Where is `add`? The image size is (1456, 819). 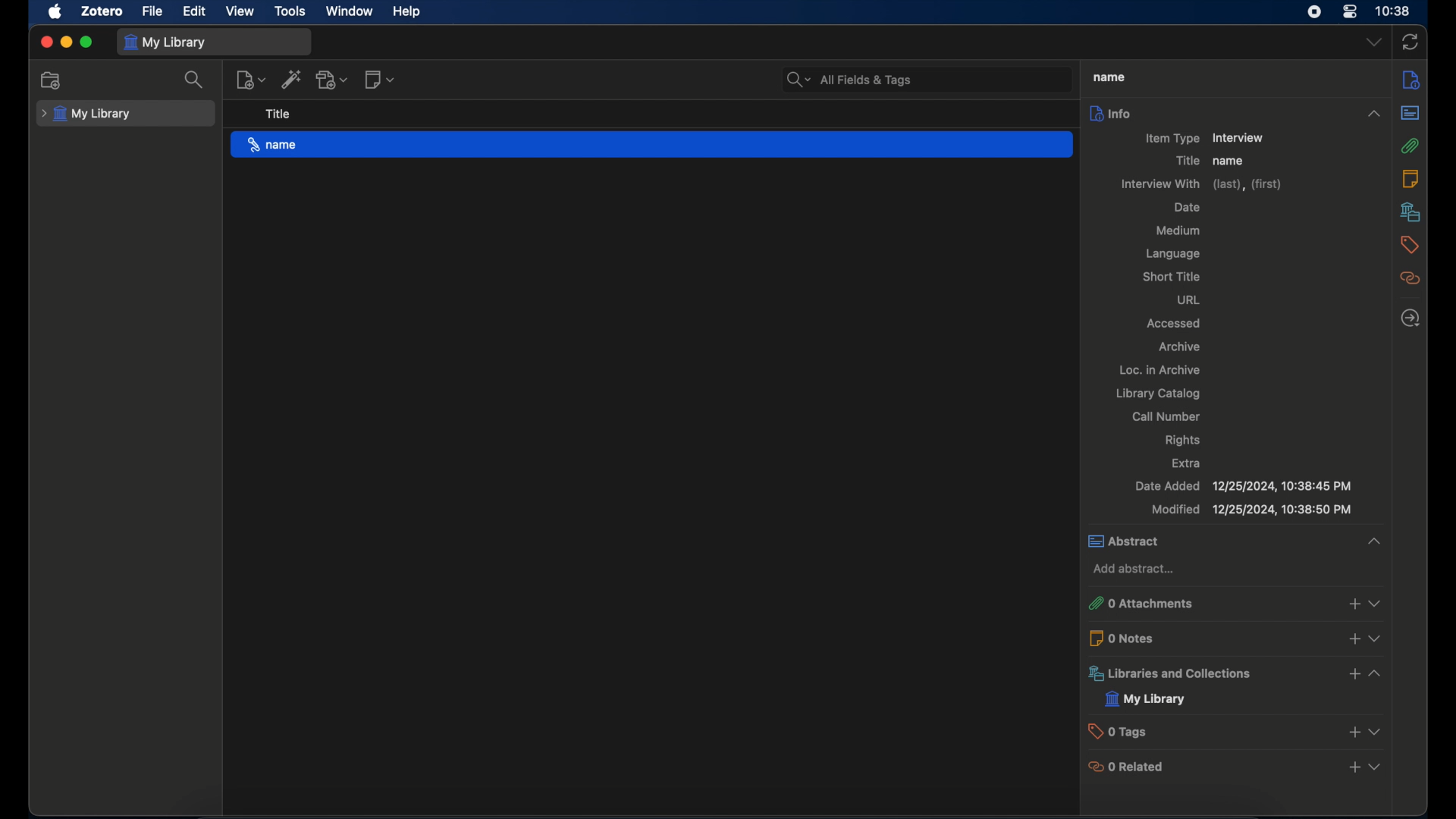
add is located at coordinates (1353, 673).